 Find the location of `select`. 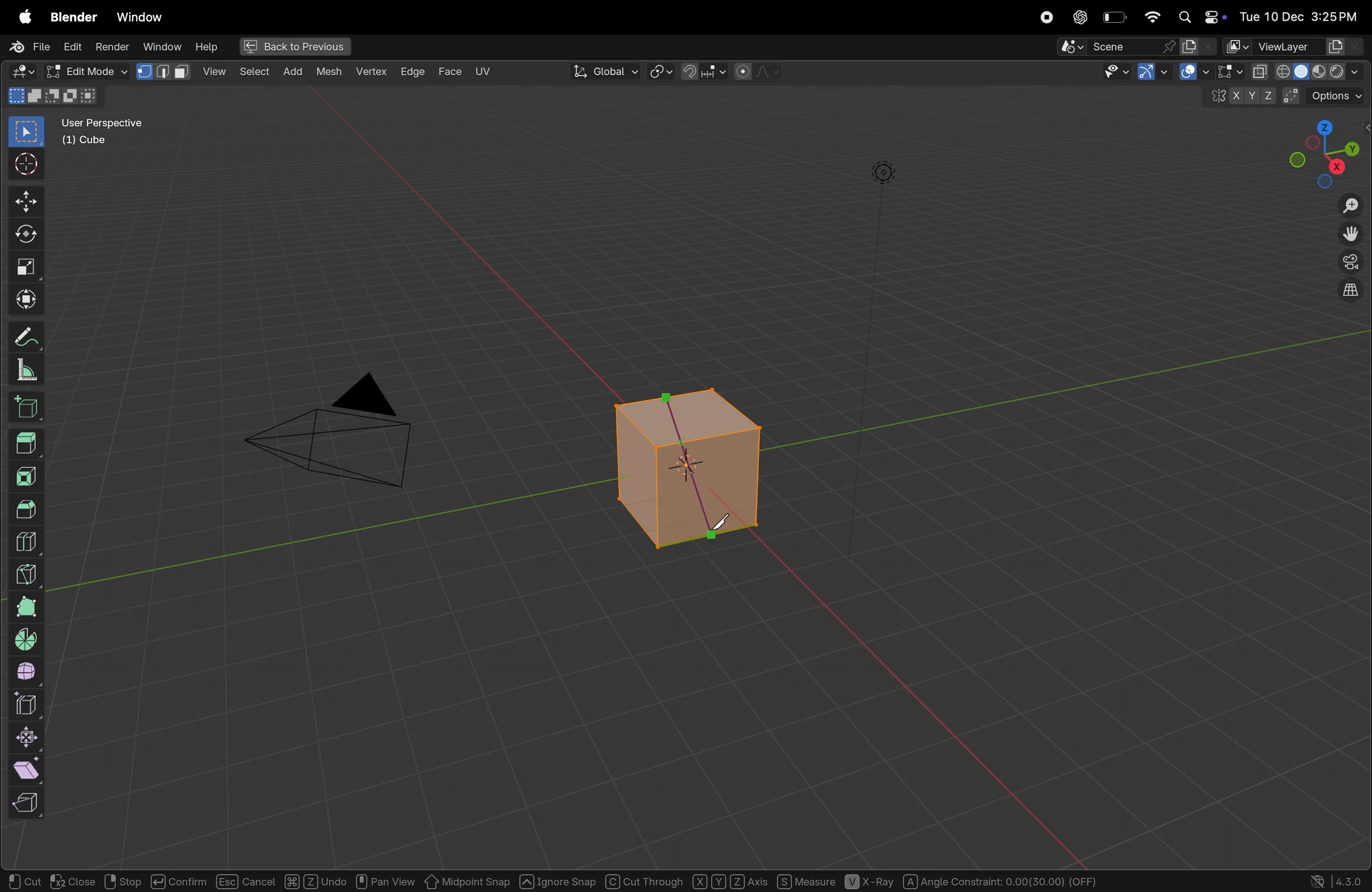

select is located at coordinates (216, 71).